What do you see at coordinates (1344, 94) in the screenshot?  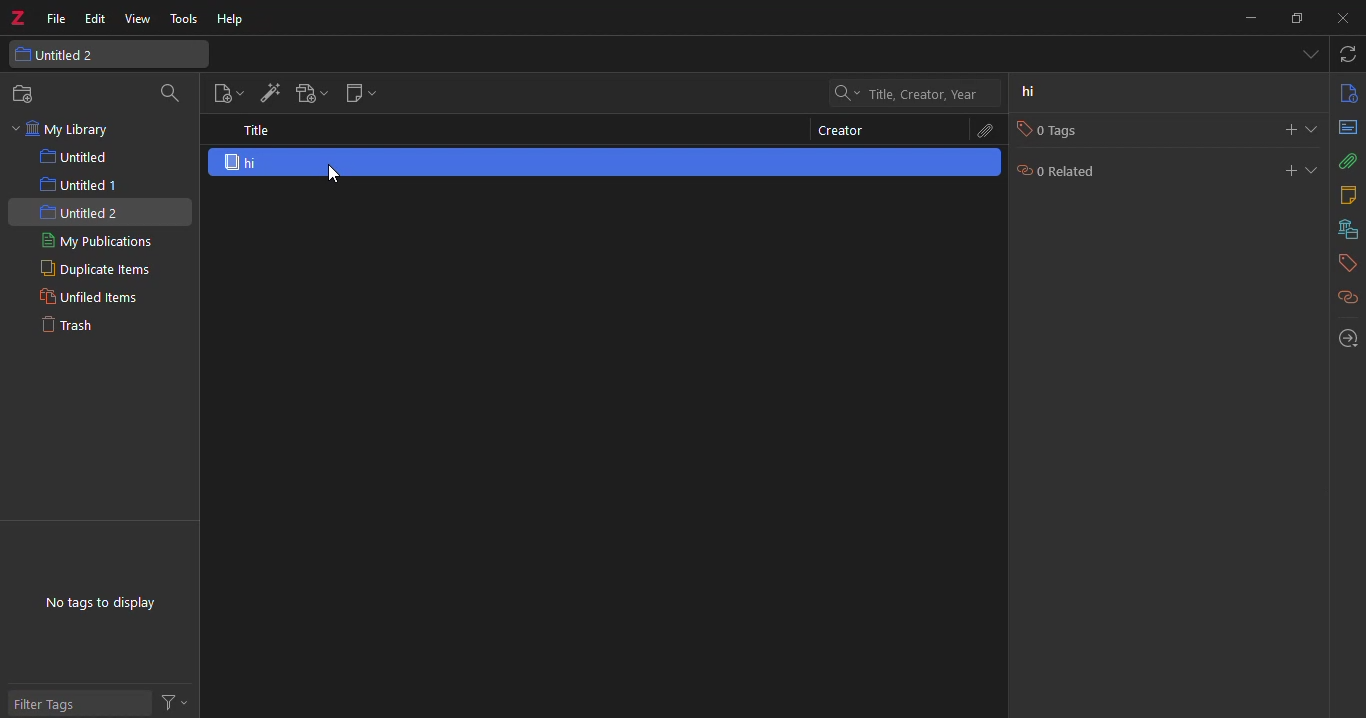 I see `info` at bounding box center [1344, 94].